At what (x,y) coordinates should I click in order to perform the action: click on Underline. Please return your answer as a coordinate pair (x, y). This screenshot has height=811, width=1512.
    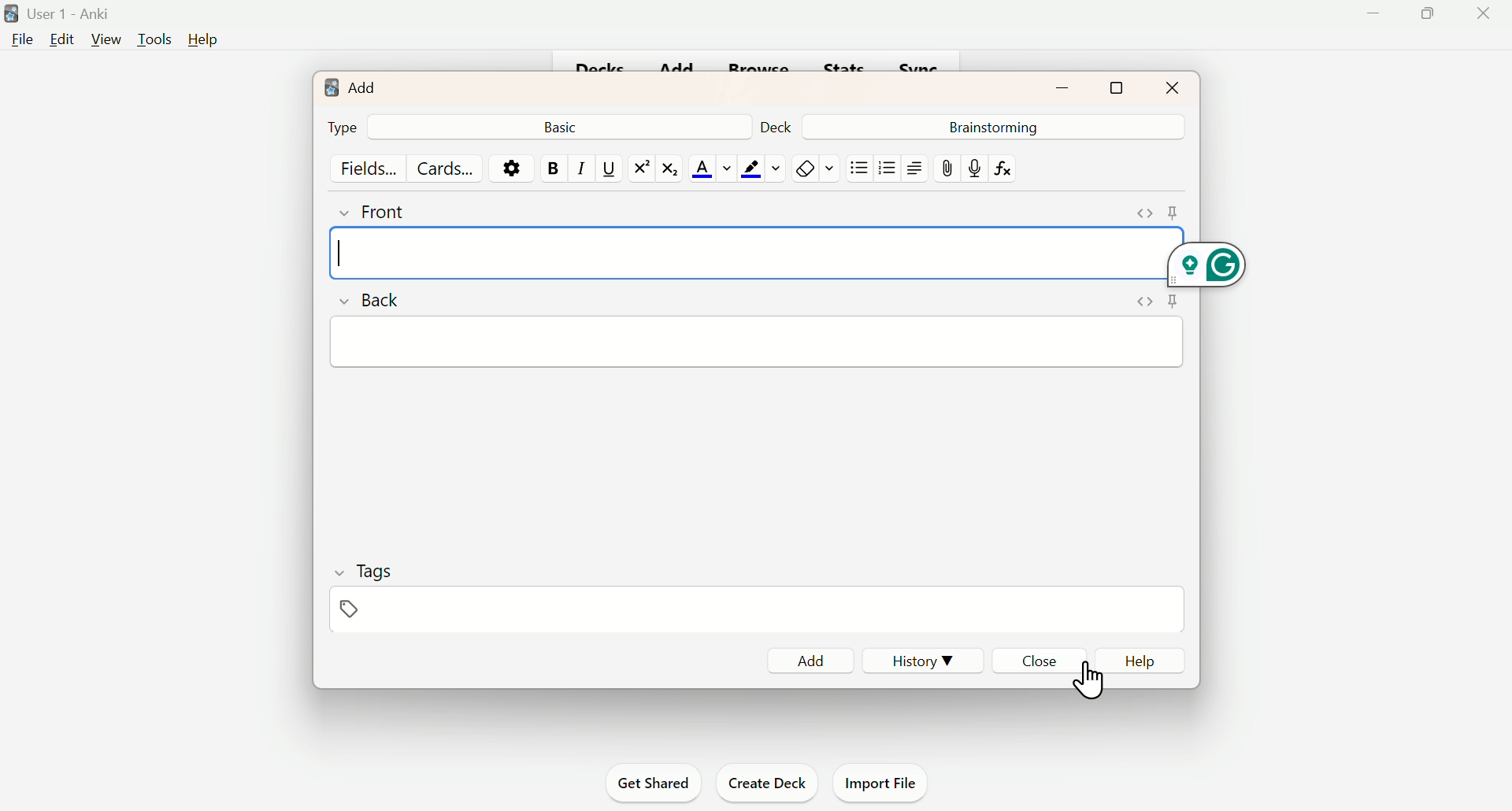
    Looking at the image, I should click on (608, 167).